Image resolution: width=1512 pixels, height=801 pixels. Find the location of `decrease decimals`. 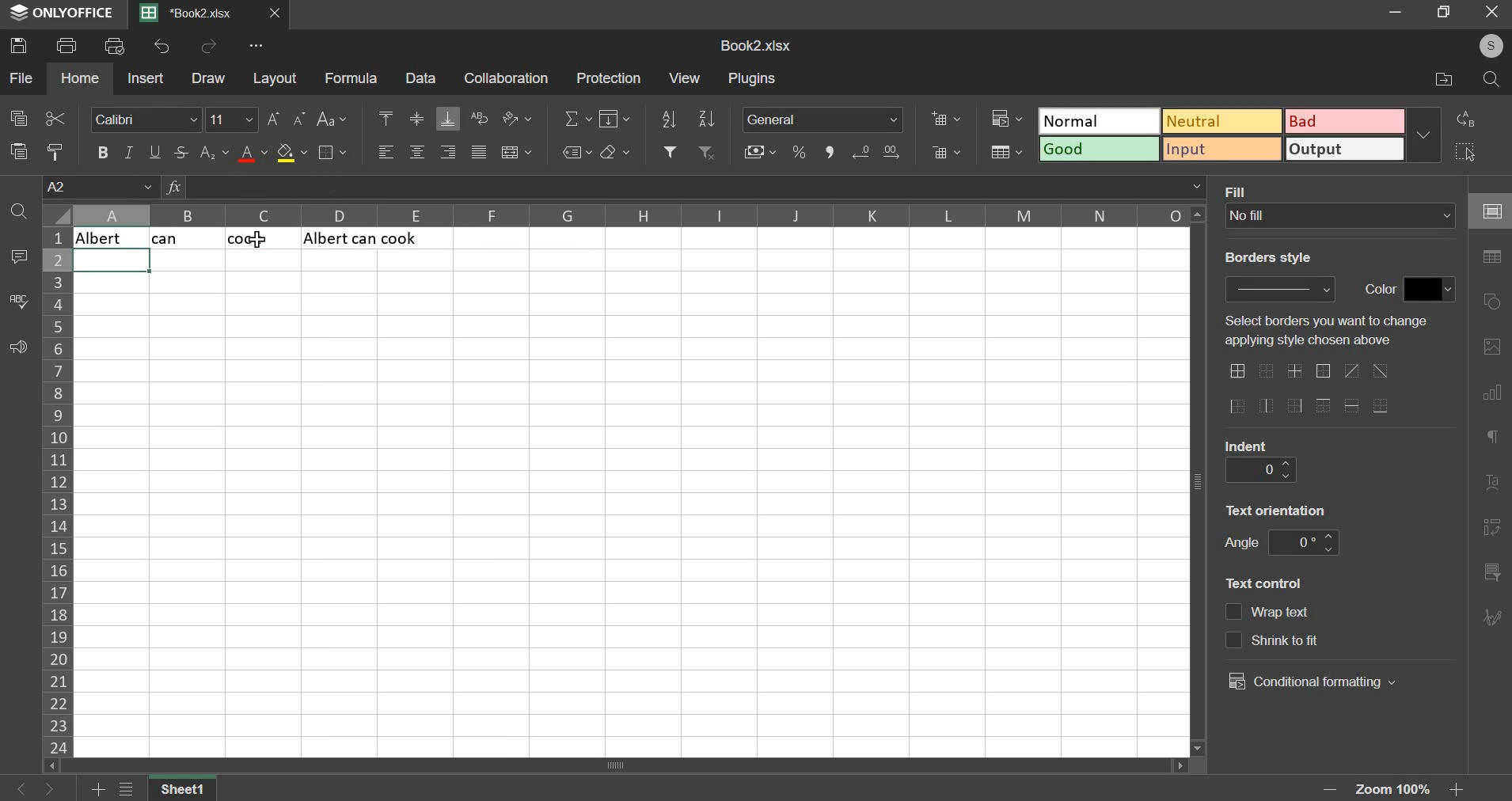

decrease decimals is located at coordinates (891, 149).